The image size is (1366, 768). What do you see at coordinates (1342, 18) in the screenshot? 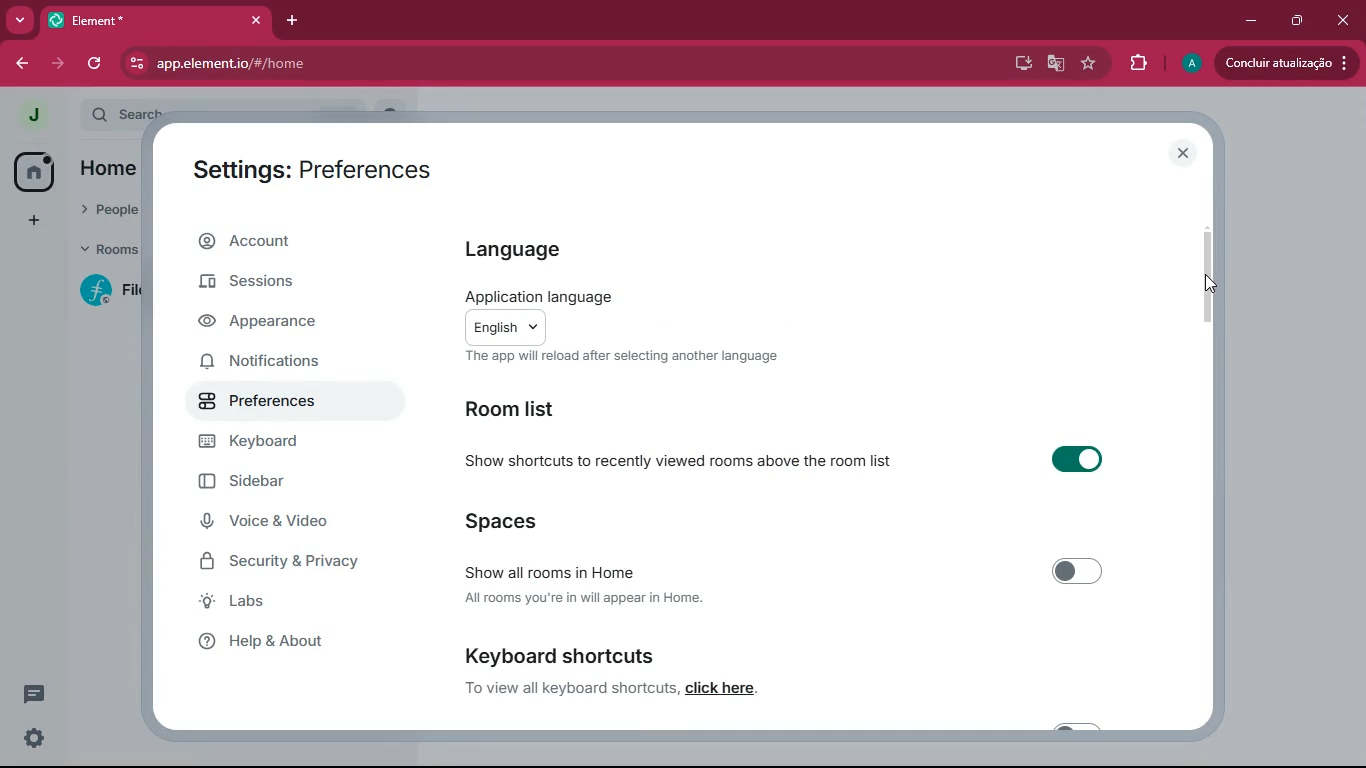
I see `Close` at bounding box center [1342, 18].